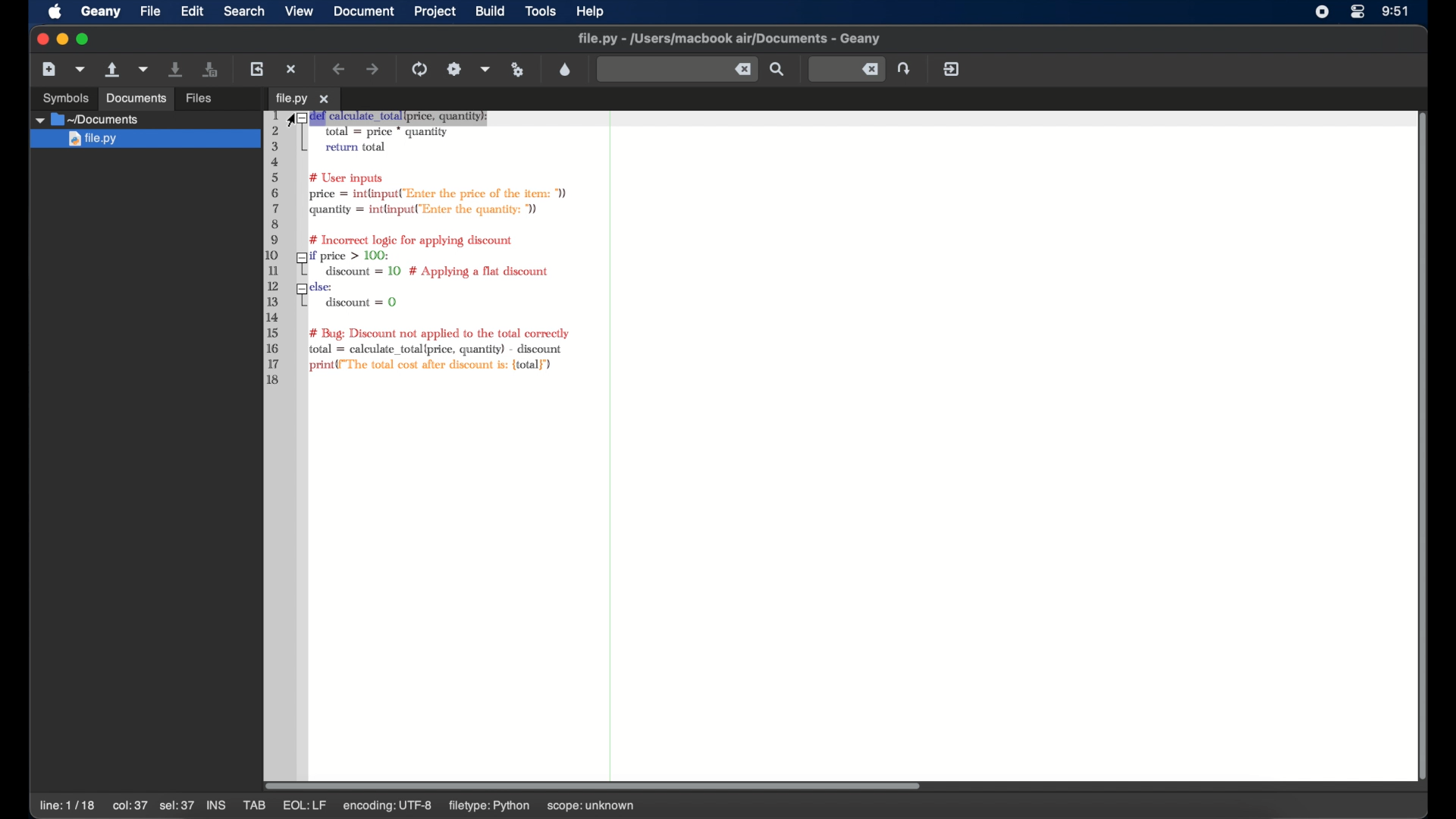 The width and height of the screenshot is (1456, 819). I want to click on filetype: python, so click(490, 807).